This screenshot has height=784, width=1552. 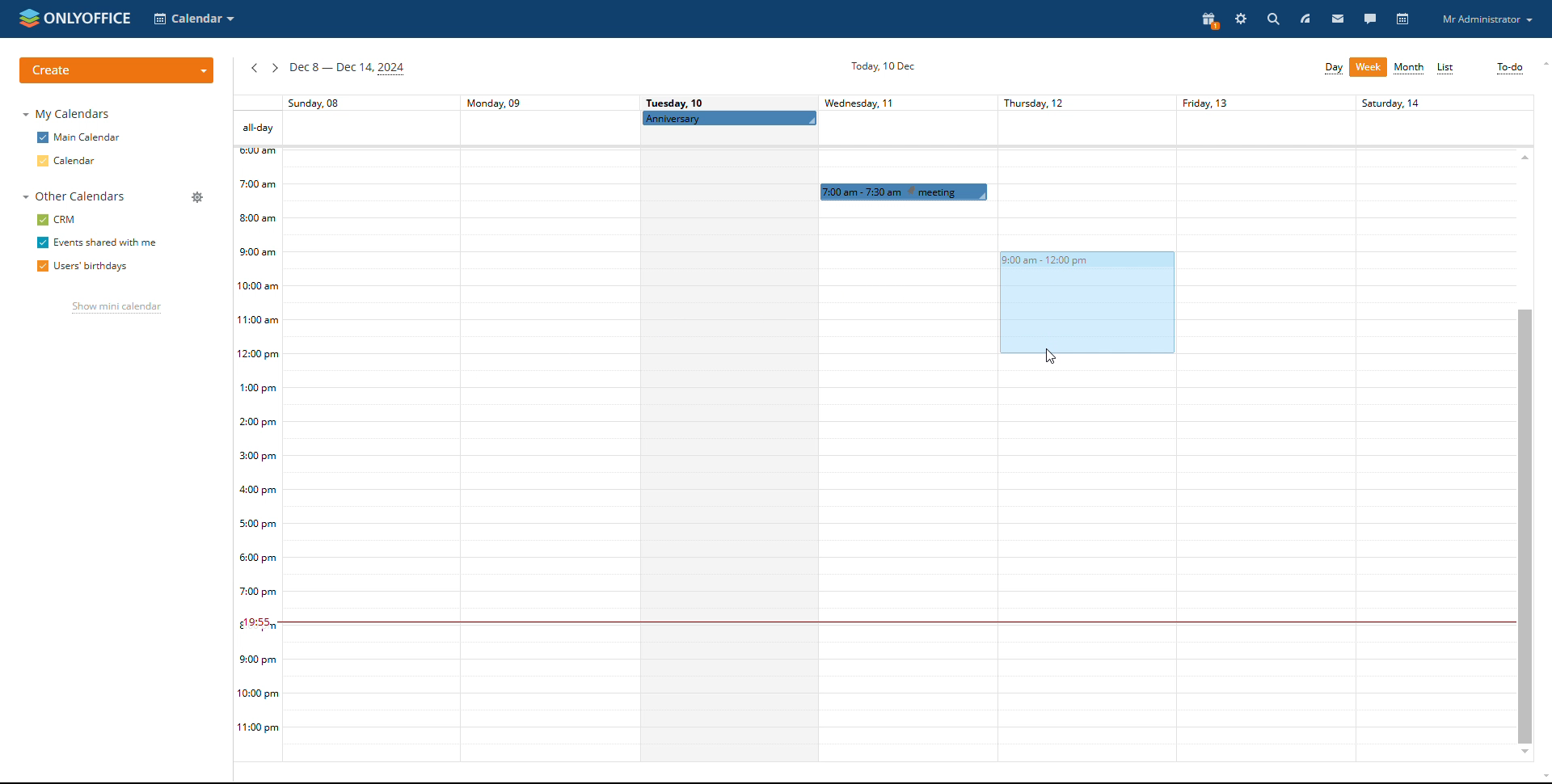 I want to click on scrollbar, so click(x=1525, y=525).